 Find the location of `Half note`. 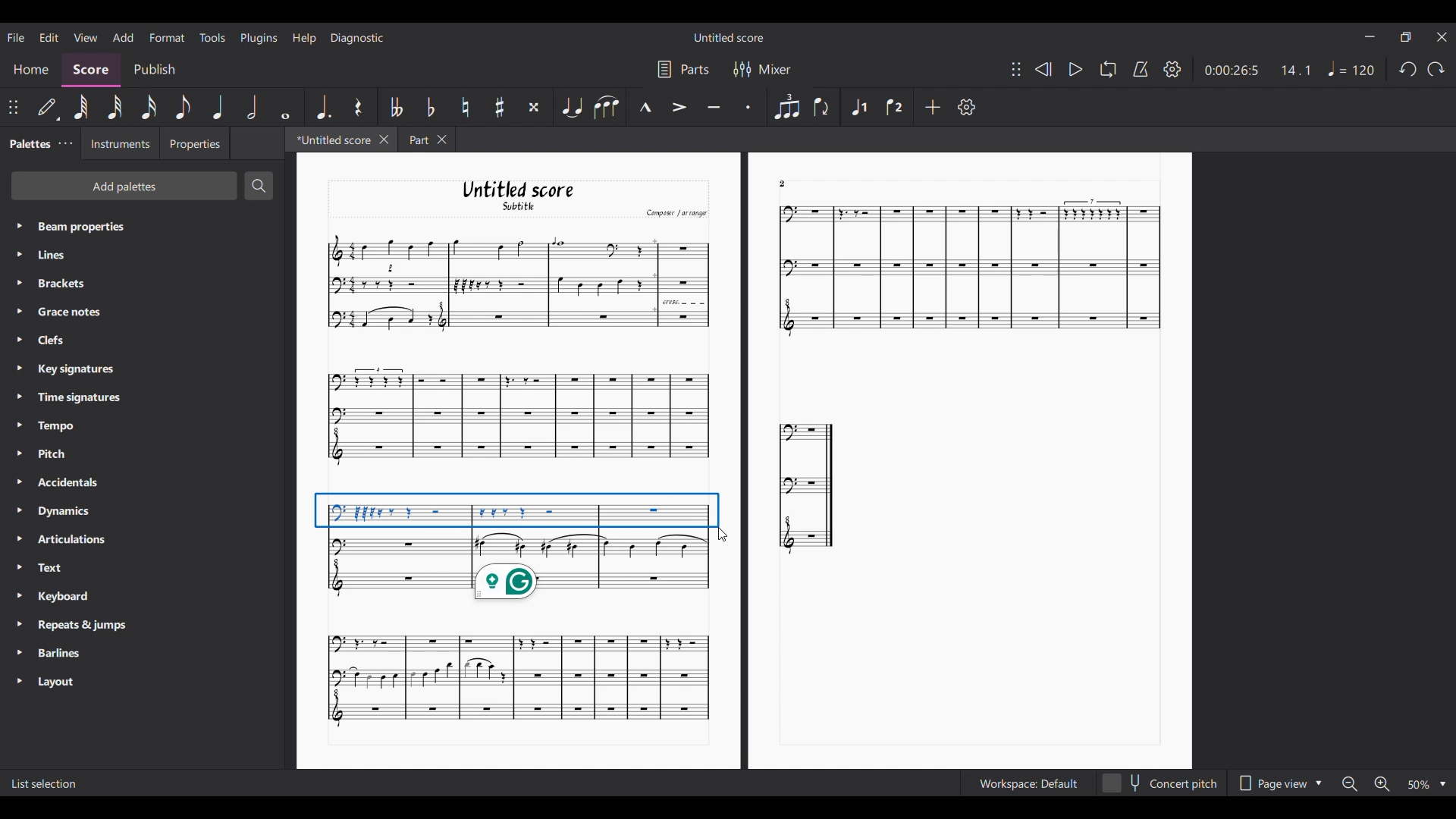

Half note is located at coordinates (252, 107).